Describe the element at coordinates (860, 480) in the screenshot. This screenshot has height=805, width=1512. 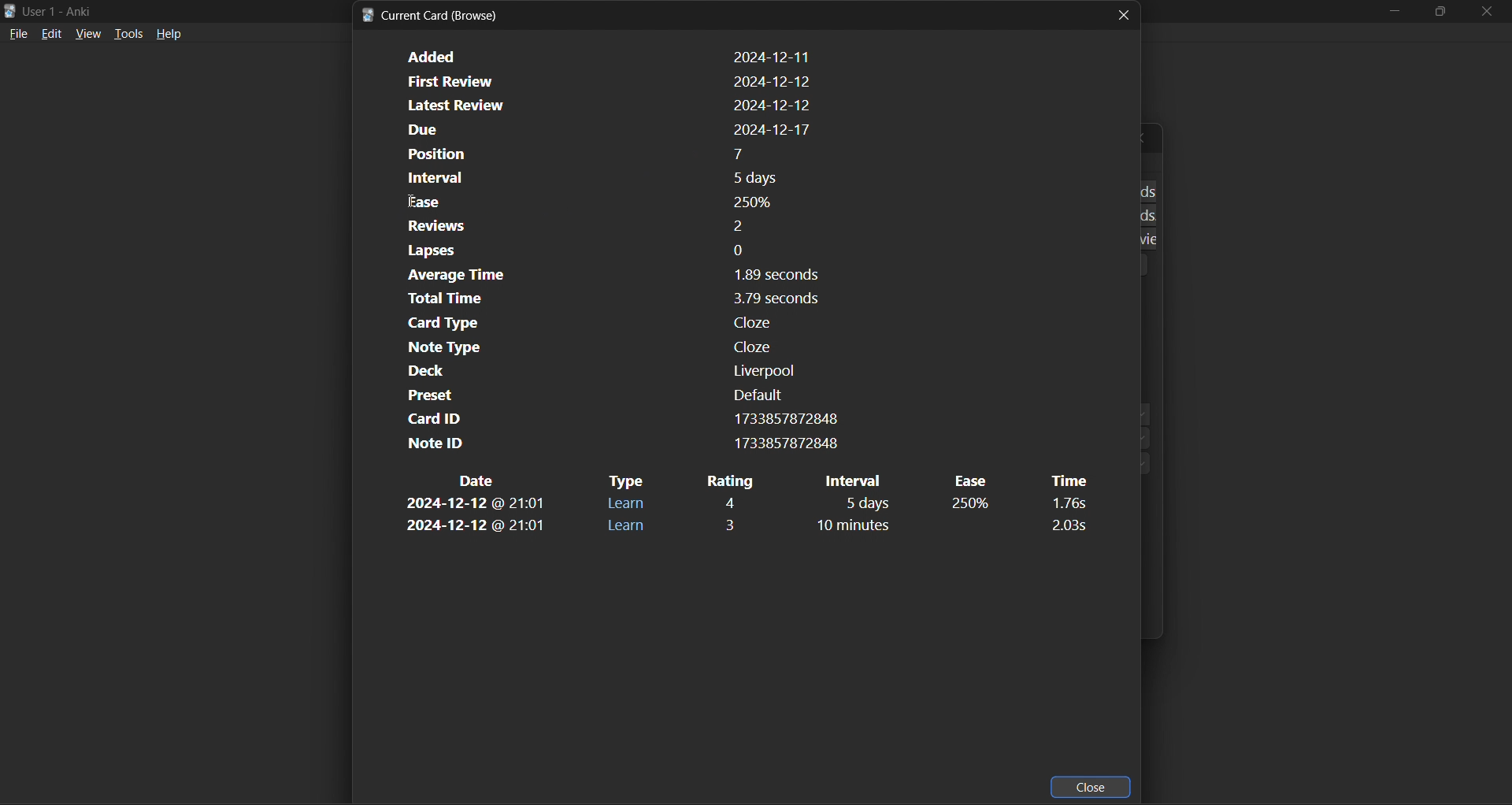
I see `interval` at that location.